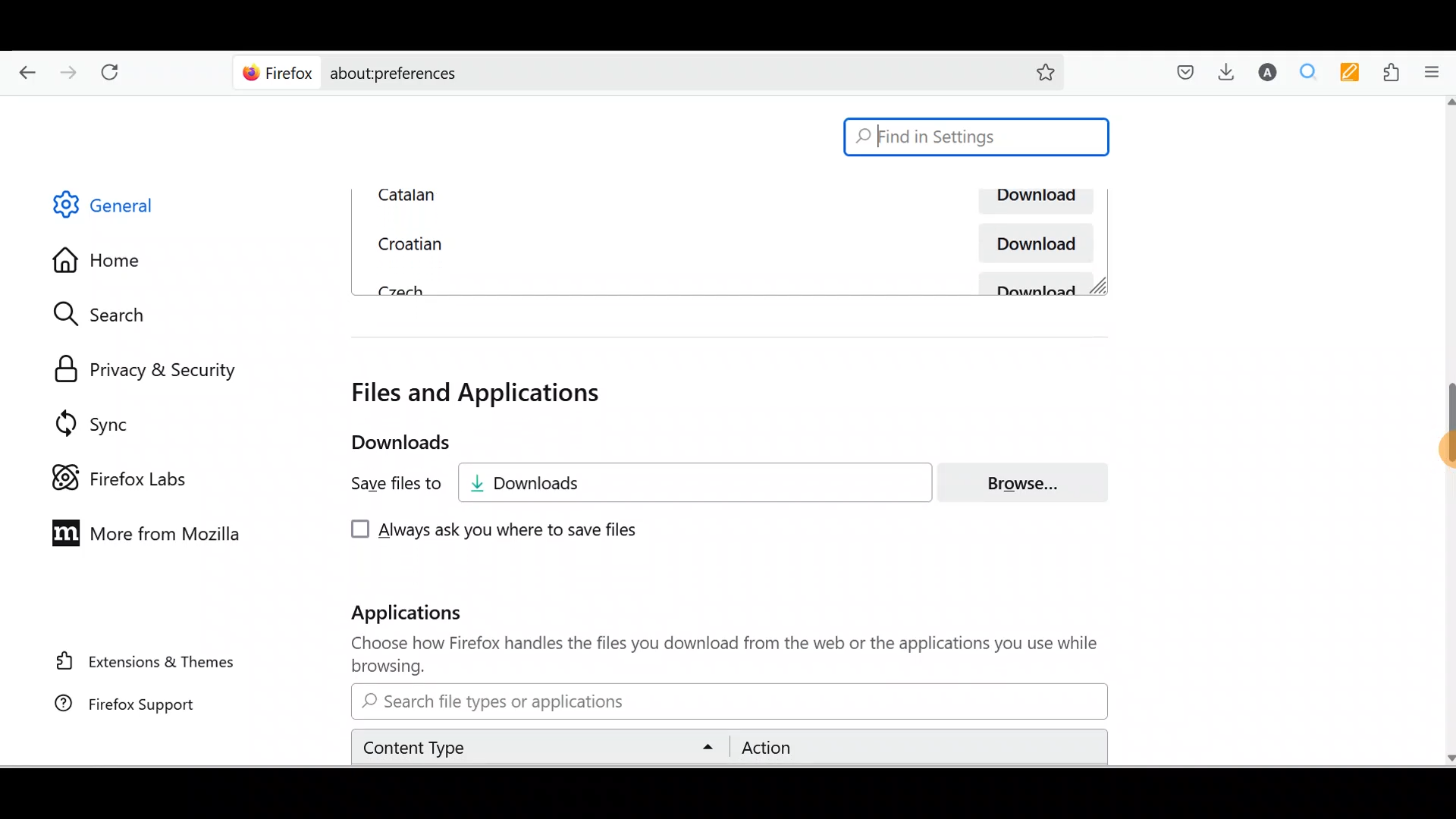 The height and width of the screenshot is (819, 1456). What do you see at coordinates (1313, 72) in the screenshot?
I see `Multiple search and highlight` at bounding box center [1313, 72].